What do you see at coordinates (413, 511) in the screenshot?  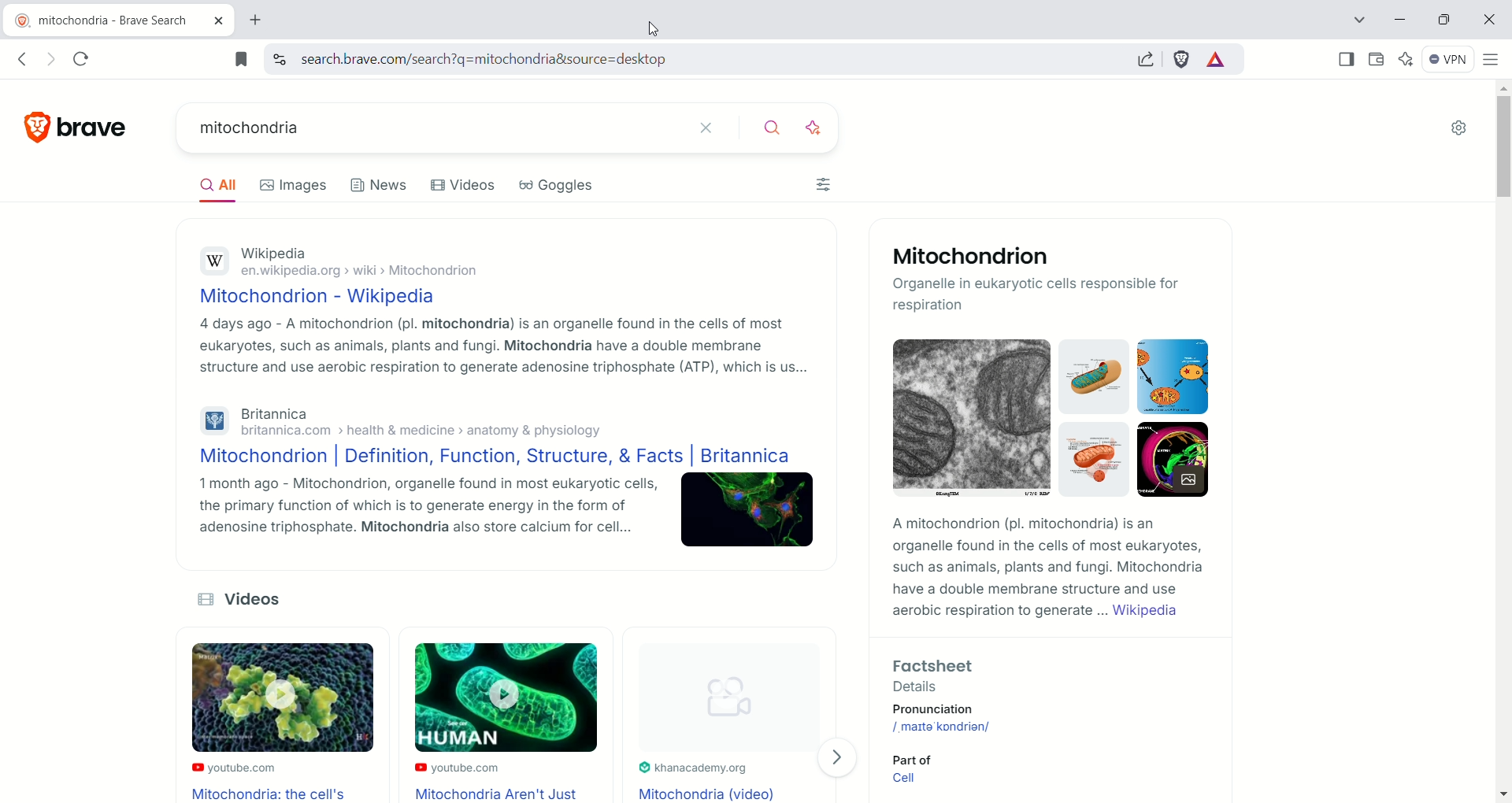 I see `1 month ago - Mitochondrion, organelle found in most eukaryotic cells,
the primary function of which is to generate energy in the form of
adenosine triphosphate. Mitochondria also store calcium for cell...` at bounding box center [413, 511].